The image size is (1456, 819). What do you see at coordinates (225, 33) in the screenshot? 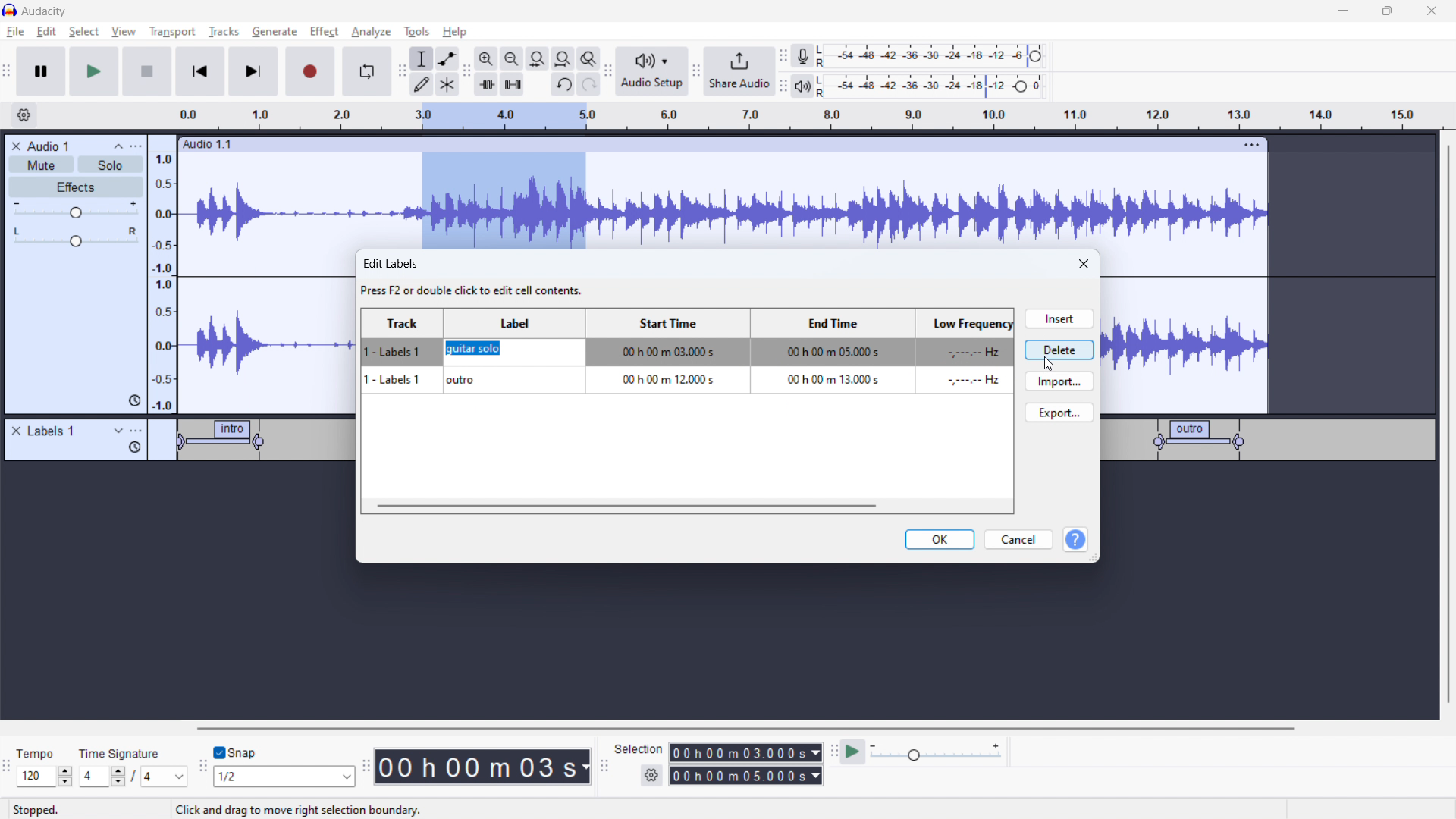
I see `tracks` at bounding box center [225, 33].